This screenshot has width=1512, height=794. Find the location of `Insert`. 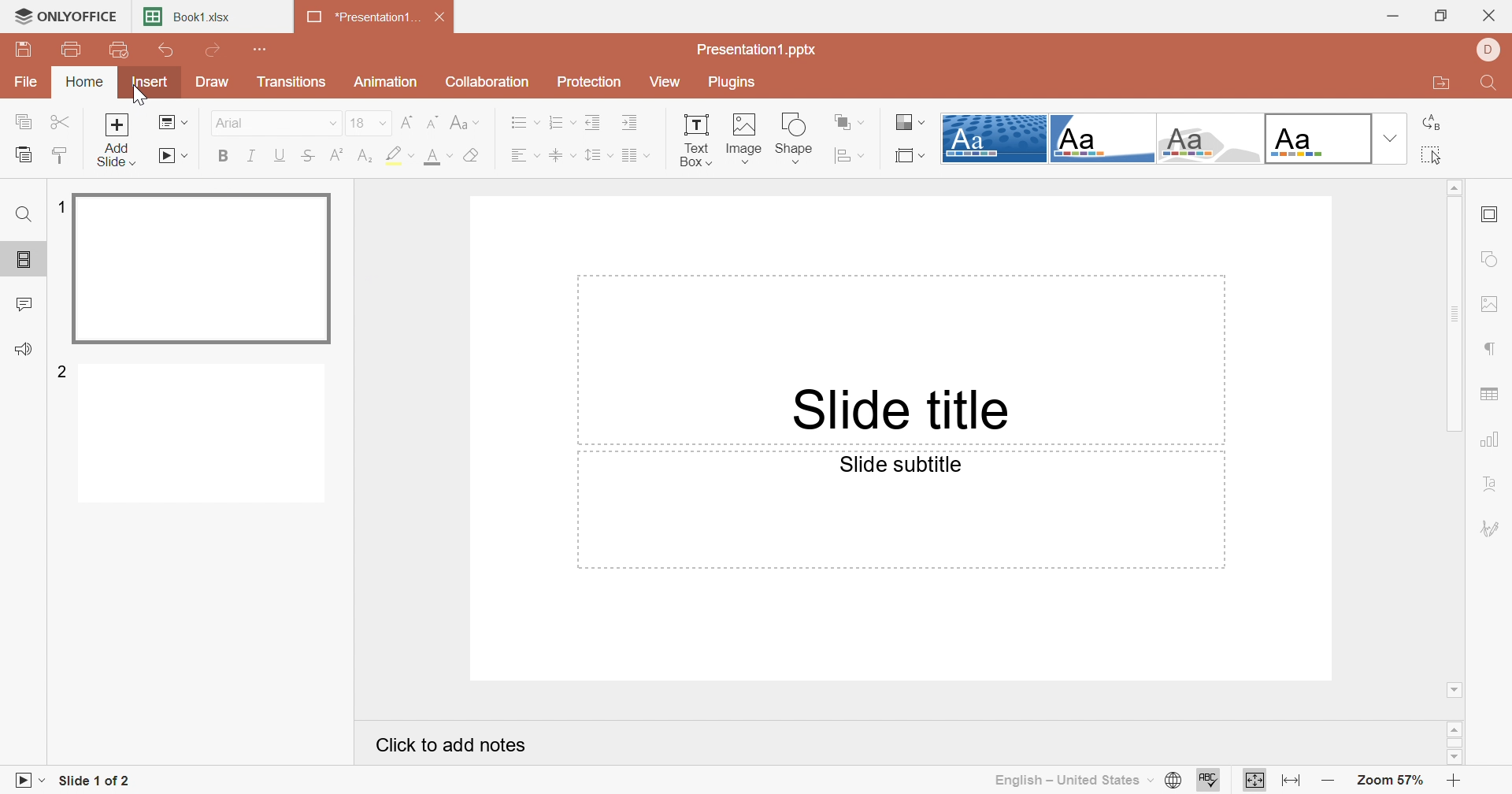

Insert is located at coordinates (150, 84).